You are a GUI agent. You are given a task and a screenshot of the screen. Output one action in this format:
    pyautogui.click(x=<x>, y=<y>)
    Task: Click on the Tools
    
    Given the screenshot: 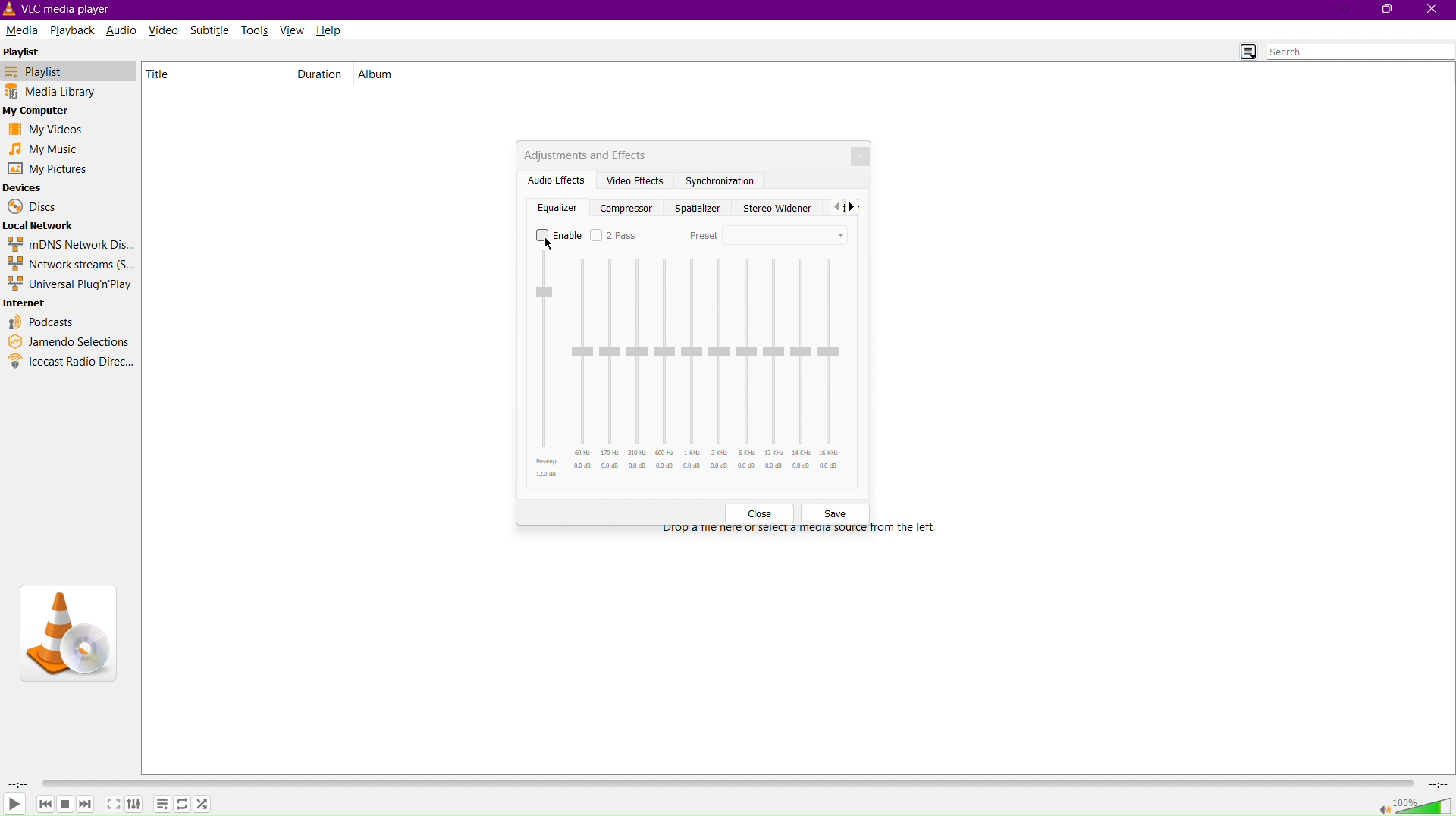 What is the action you would take?
    pyautogui.click(x=257, y=29)
    